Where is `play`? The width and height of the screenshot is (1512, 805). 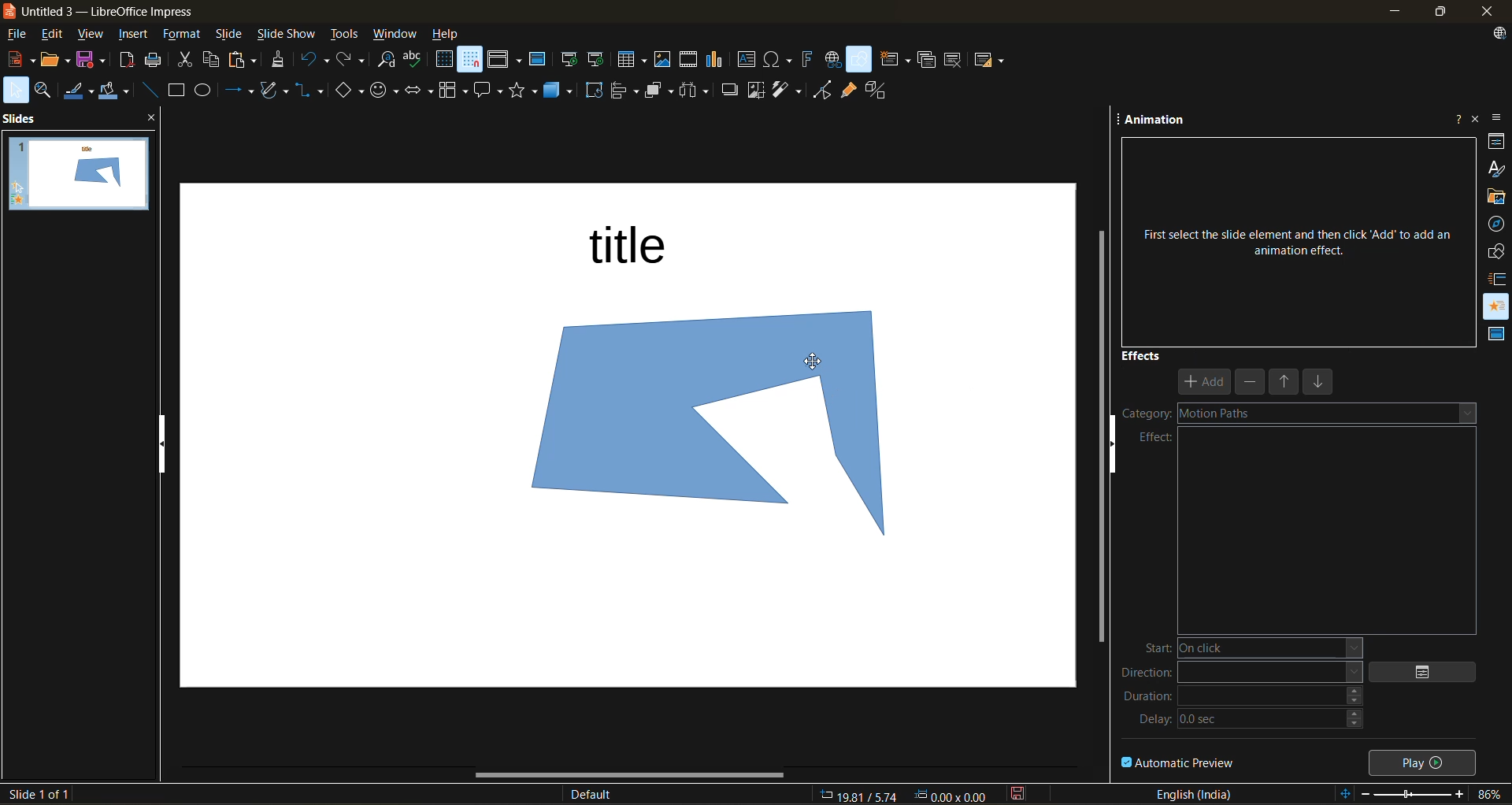 play is located at coordinates (1426, 761).